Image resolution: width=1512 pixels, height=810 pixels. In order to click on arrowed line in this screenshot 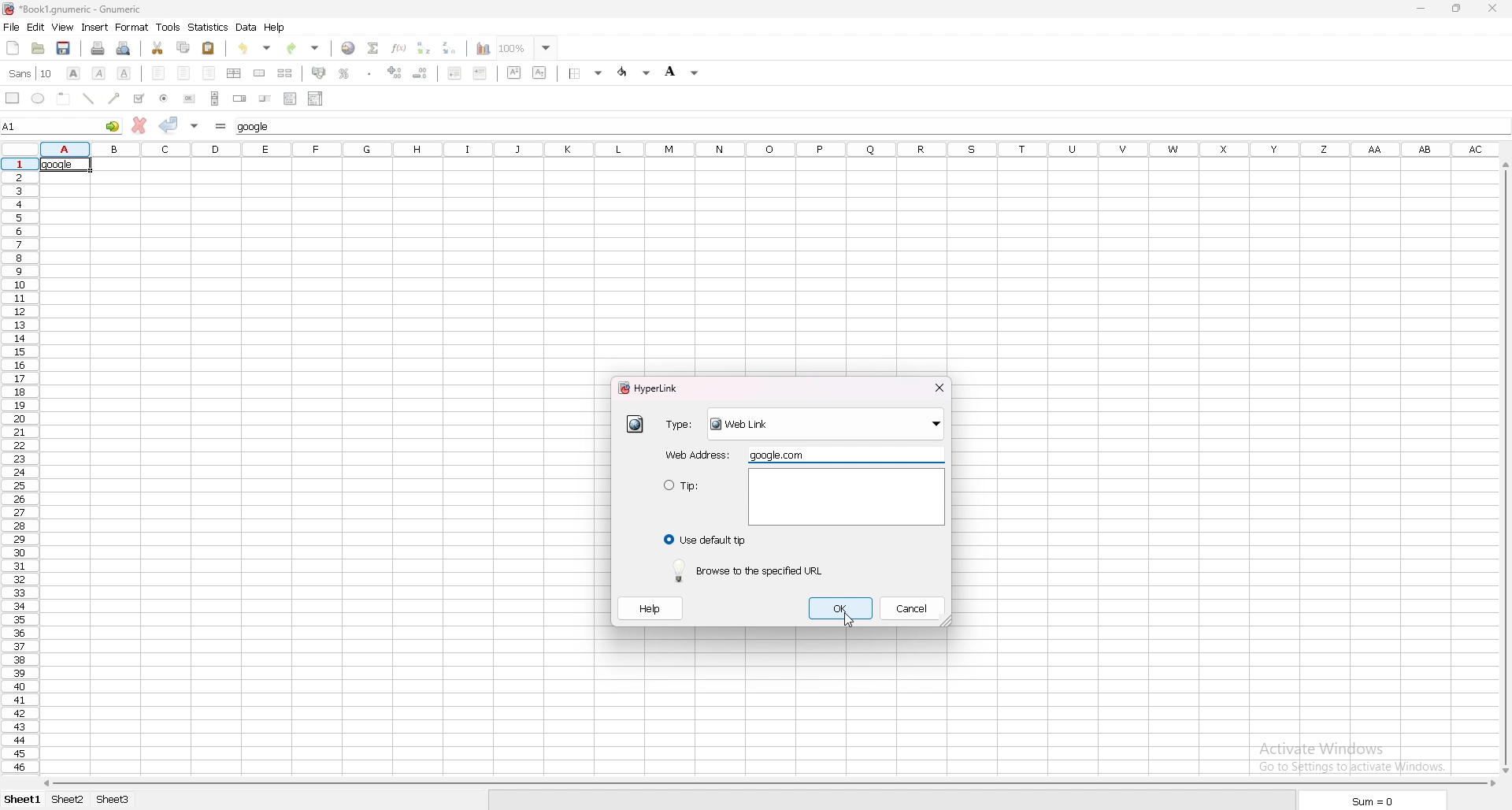, I will do `click(115, 98)`.